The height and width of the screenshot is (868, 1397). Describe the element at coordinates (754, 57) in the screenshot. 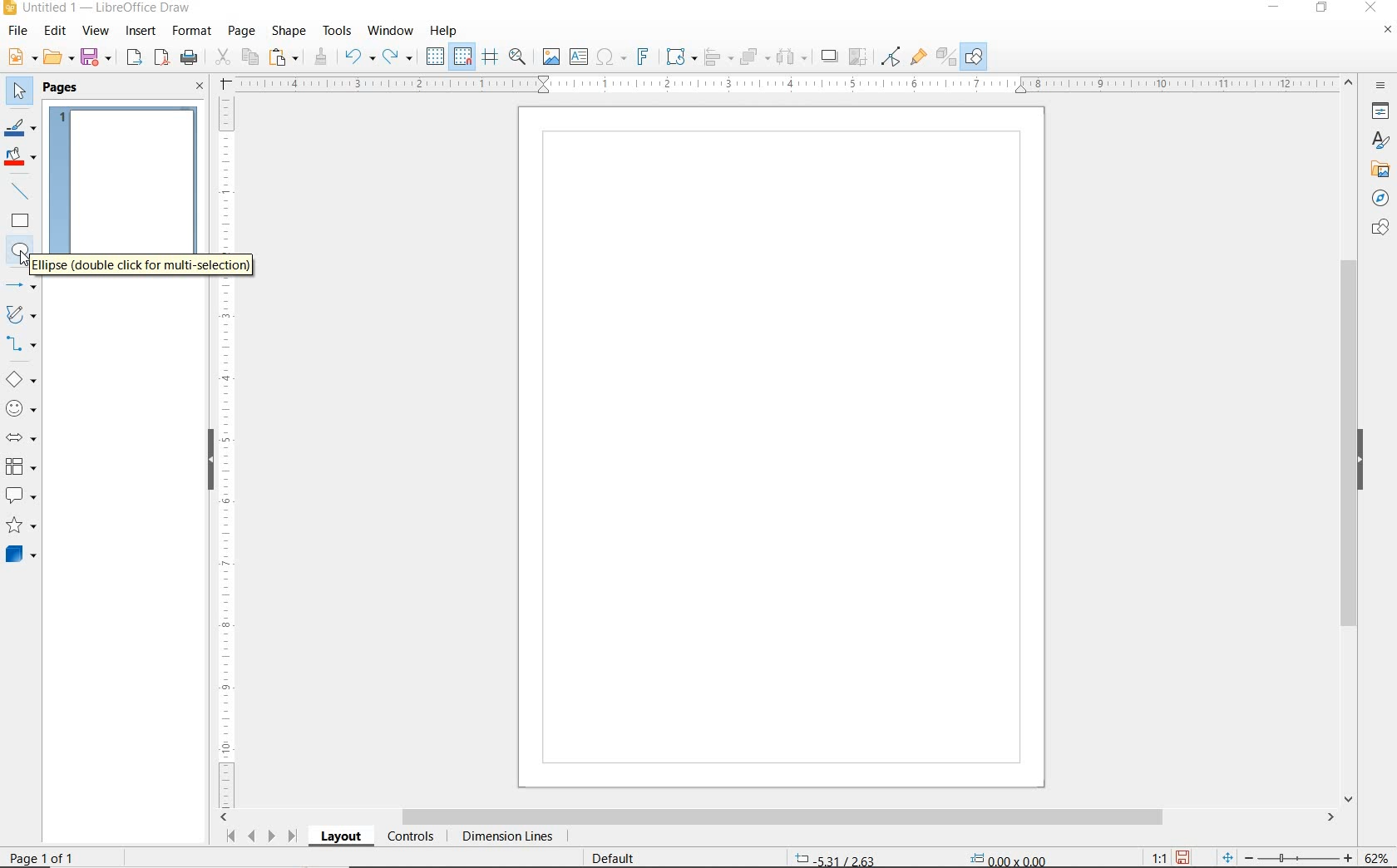

I see `ARRANGE` at that location.